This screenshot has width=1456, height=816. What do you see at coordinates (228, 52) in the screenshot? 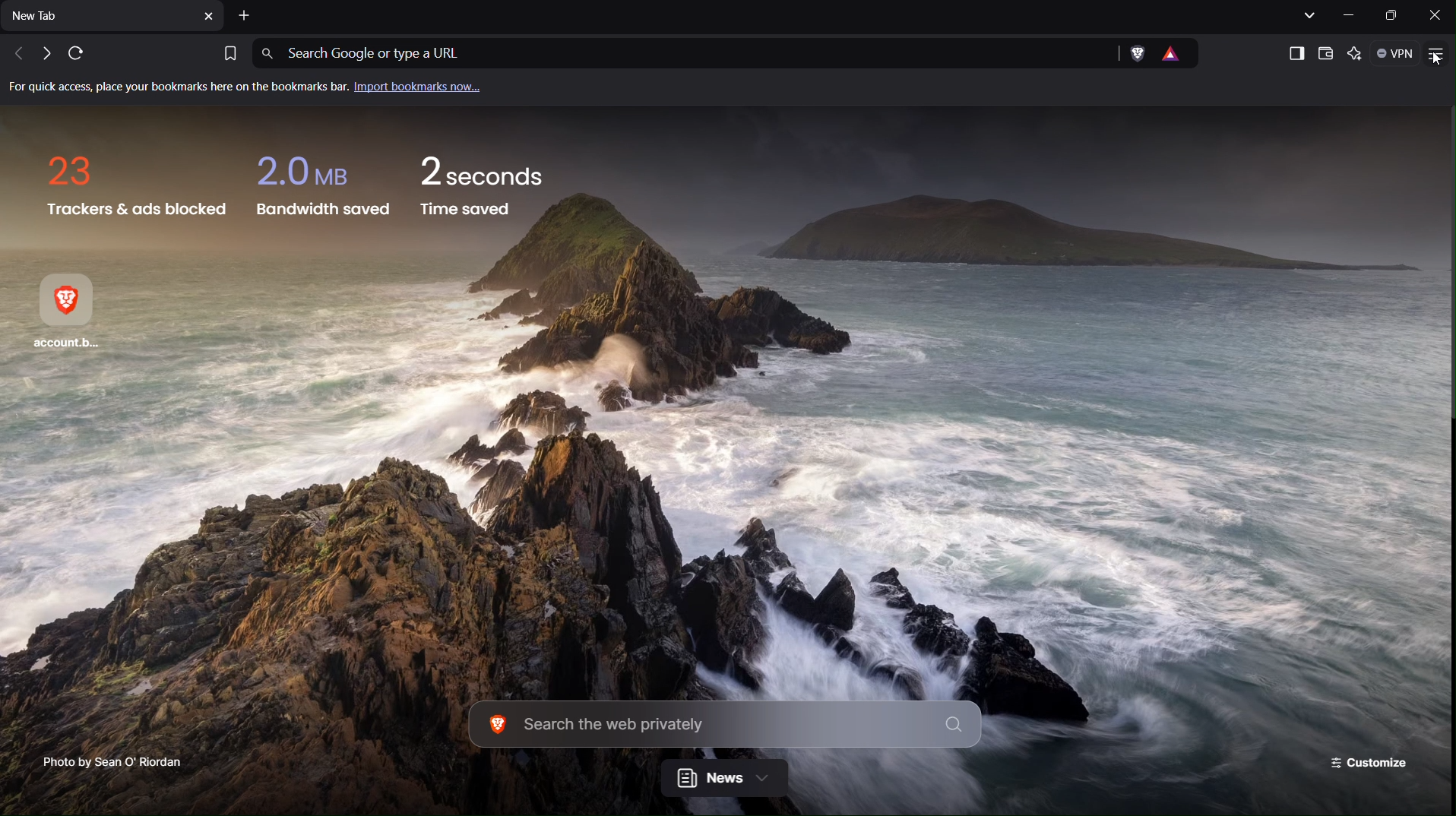
I see `Bookmark` at bounding box center [228, 52].